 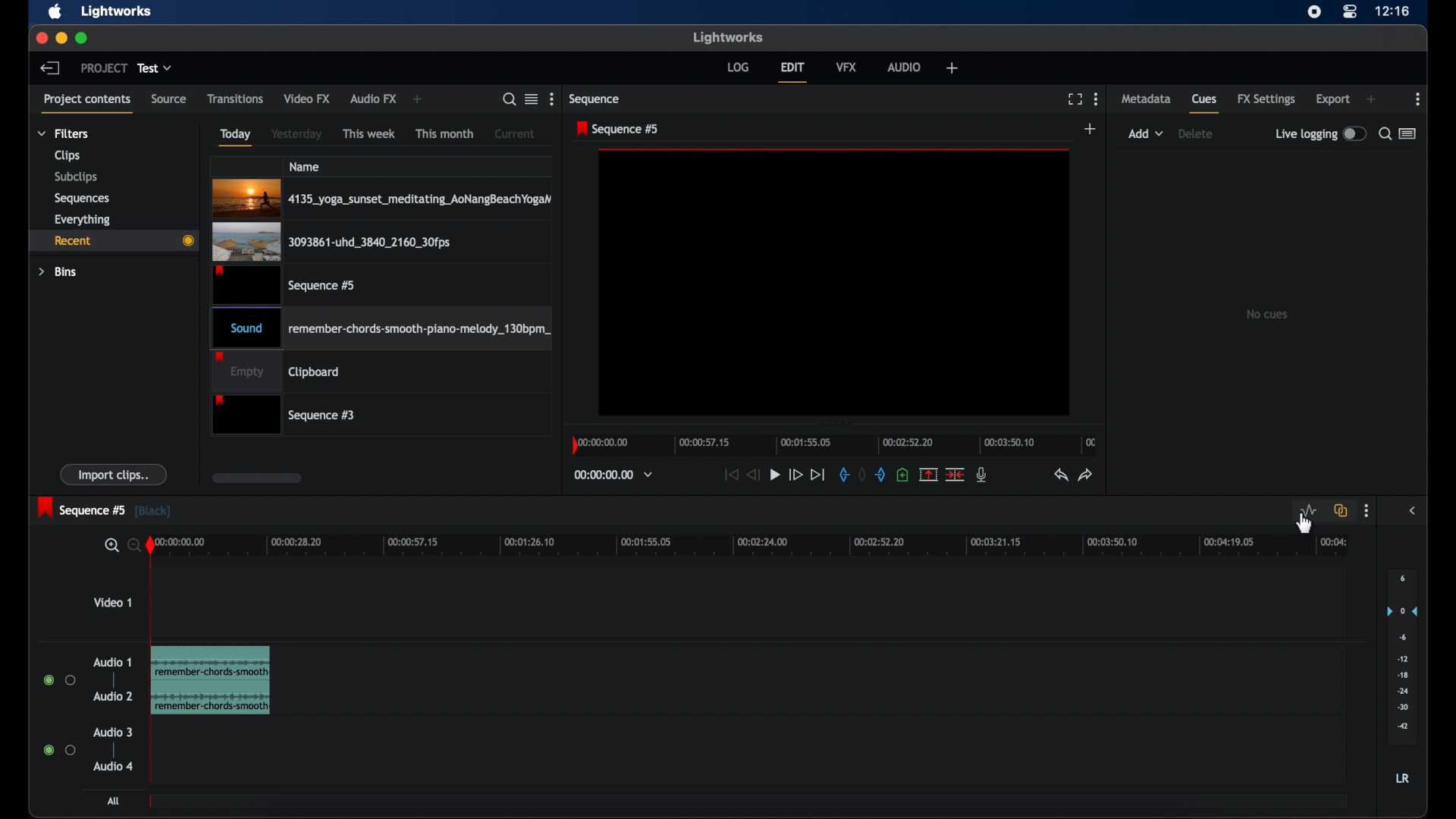 What do you see at coordinates (597, 99) in the screenshot?
I see `sequence` at bounding box center [597, 99].